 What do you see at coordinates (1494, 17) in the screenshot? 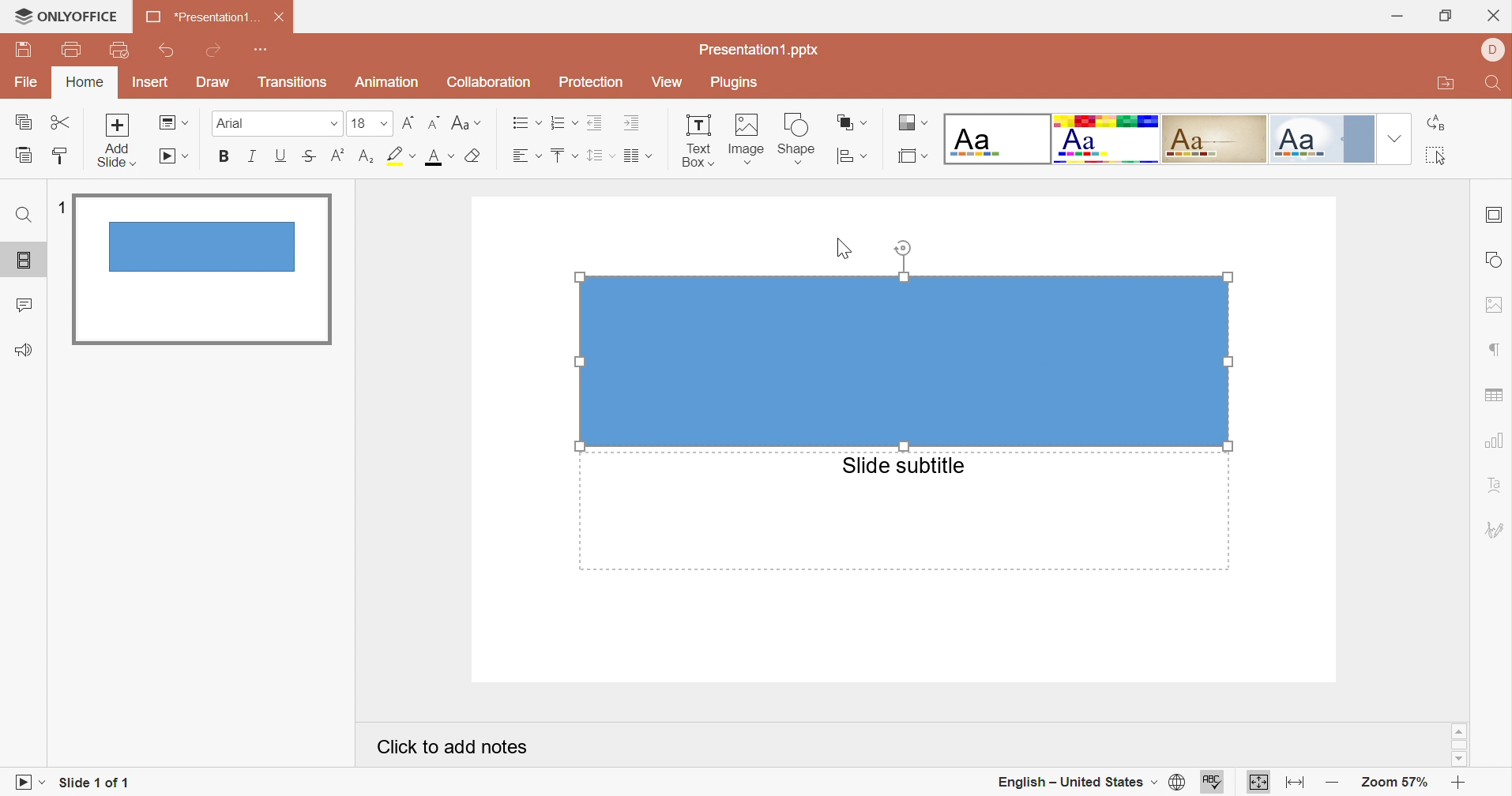
I see `Close` at bounding box center [1494, 17].